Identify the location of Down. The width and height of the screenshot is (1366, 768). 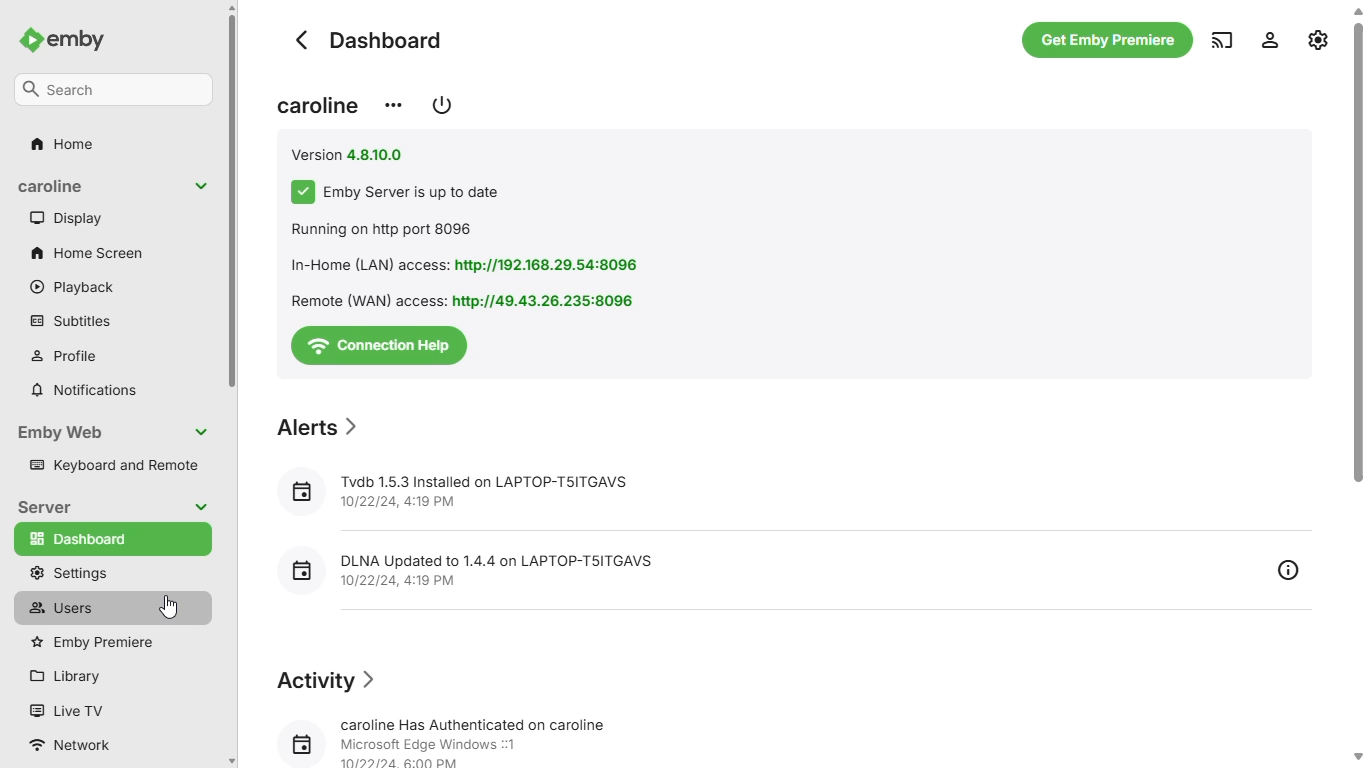
(1352, 753).